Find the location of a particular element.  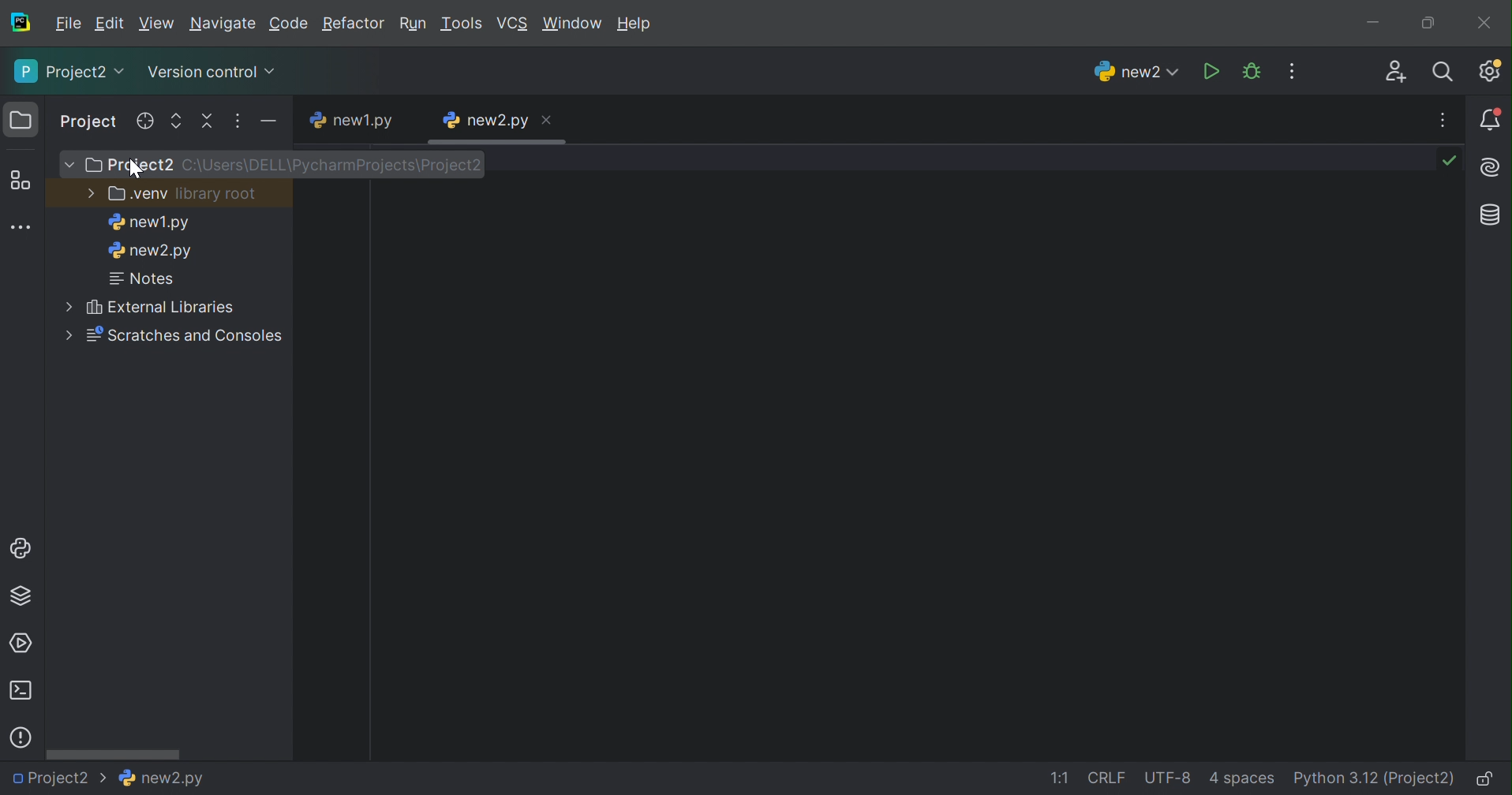

More is located at coordinates (69, 334).